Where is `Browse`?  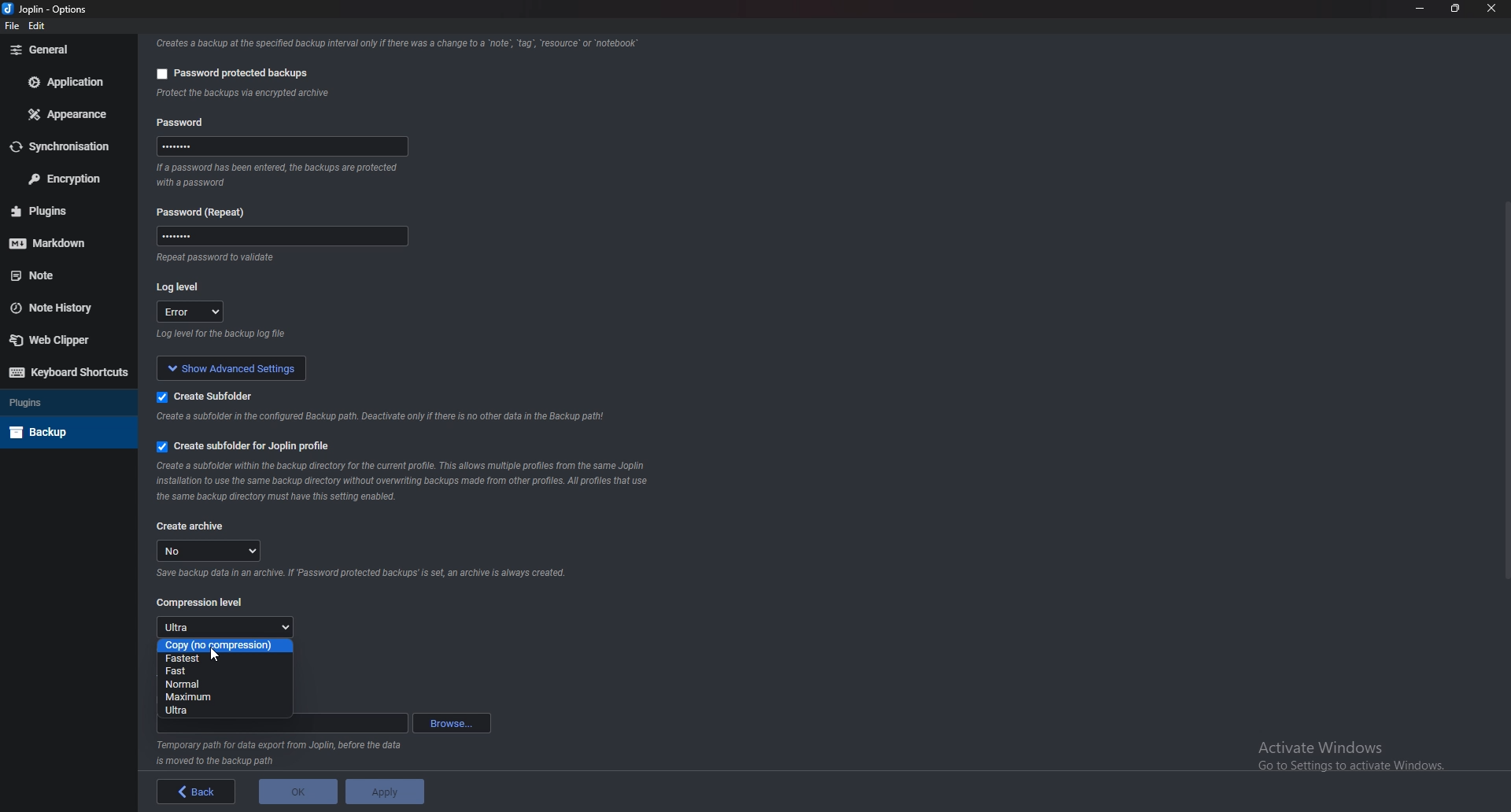
Browse is located at coordinates (451, 723).